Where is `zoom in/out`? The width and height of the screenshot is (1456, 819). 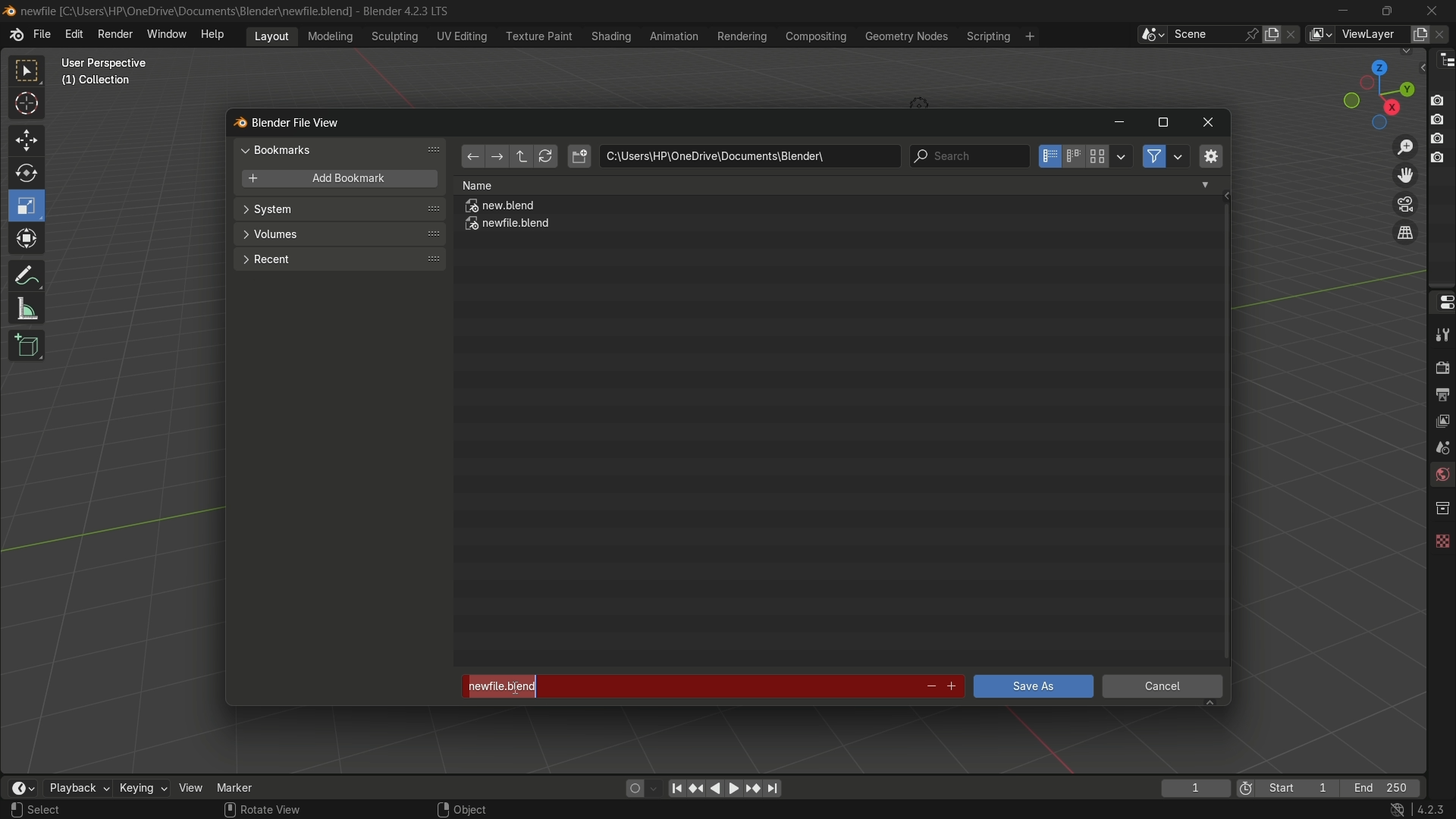
zoom in/out is located at coordinates (1406, 145).